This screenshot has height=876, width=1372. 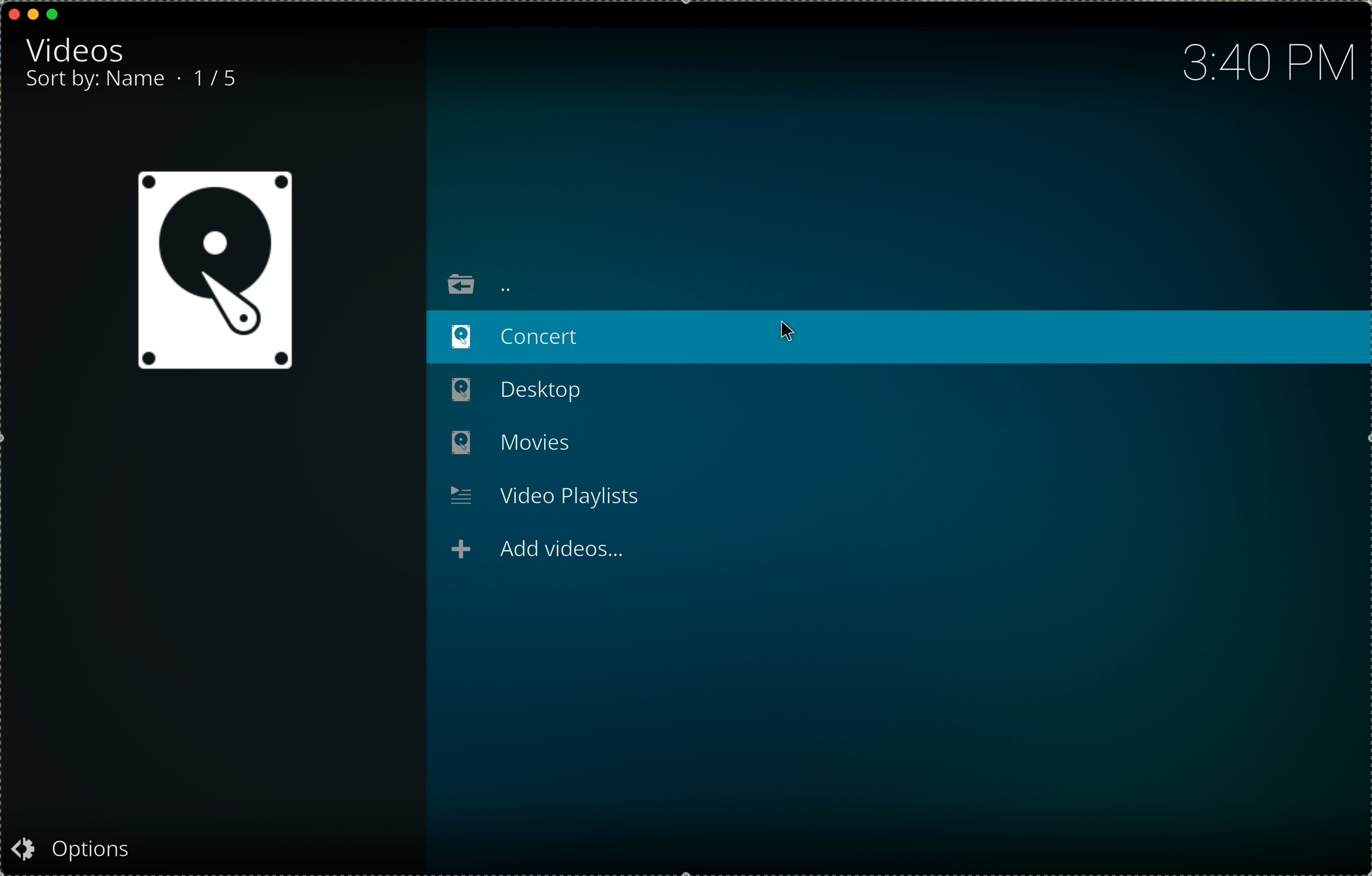 I want to click on add videos, so click(x=535, y=554).